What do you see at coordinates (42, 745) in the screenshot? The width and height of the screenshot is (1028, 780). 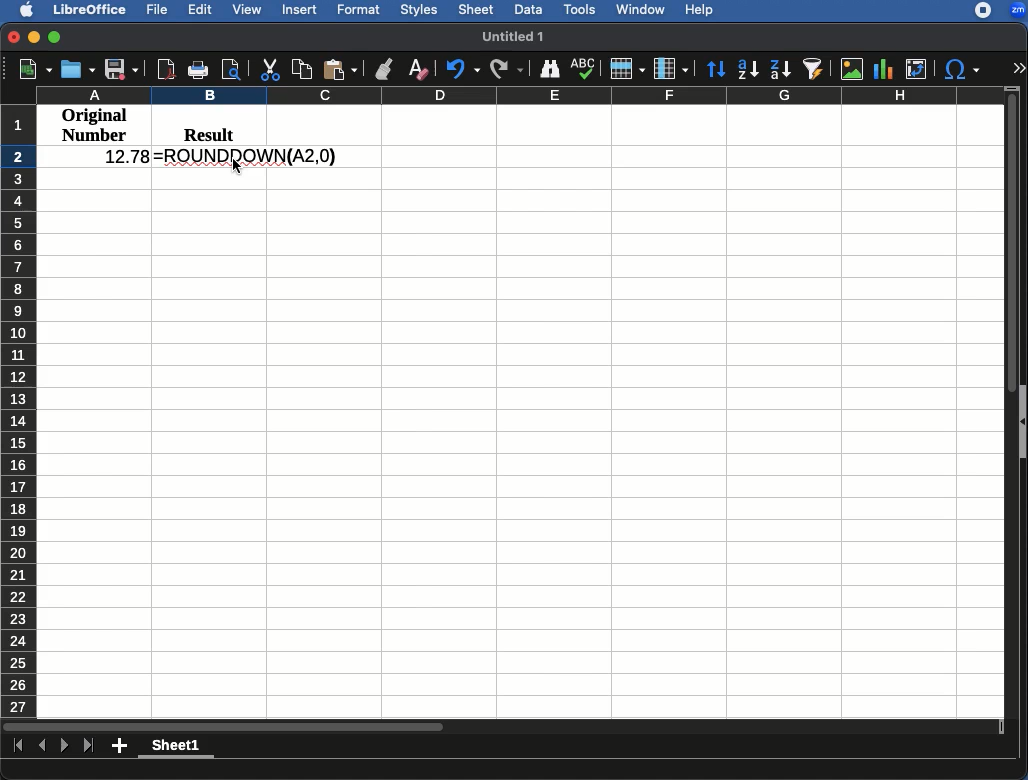 I see `Previous page` at bounding box center [42, 745].